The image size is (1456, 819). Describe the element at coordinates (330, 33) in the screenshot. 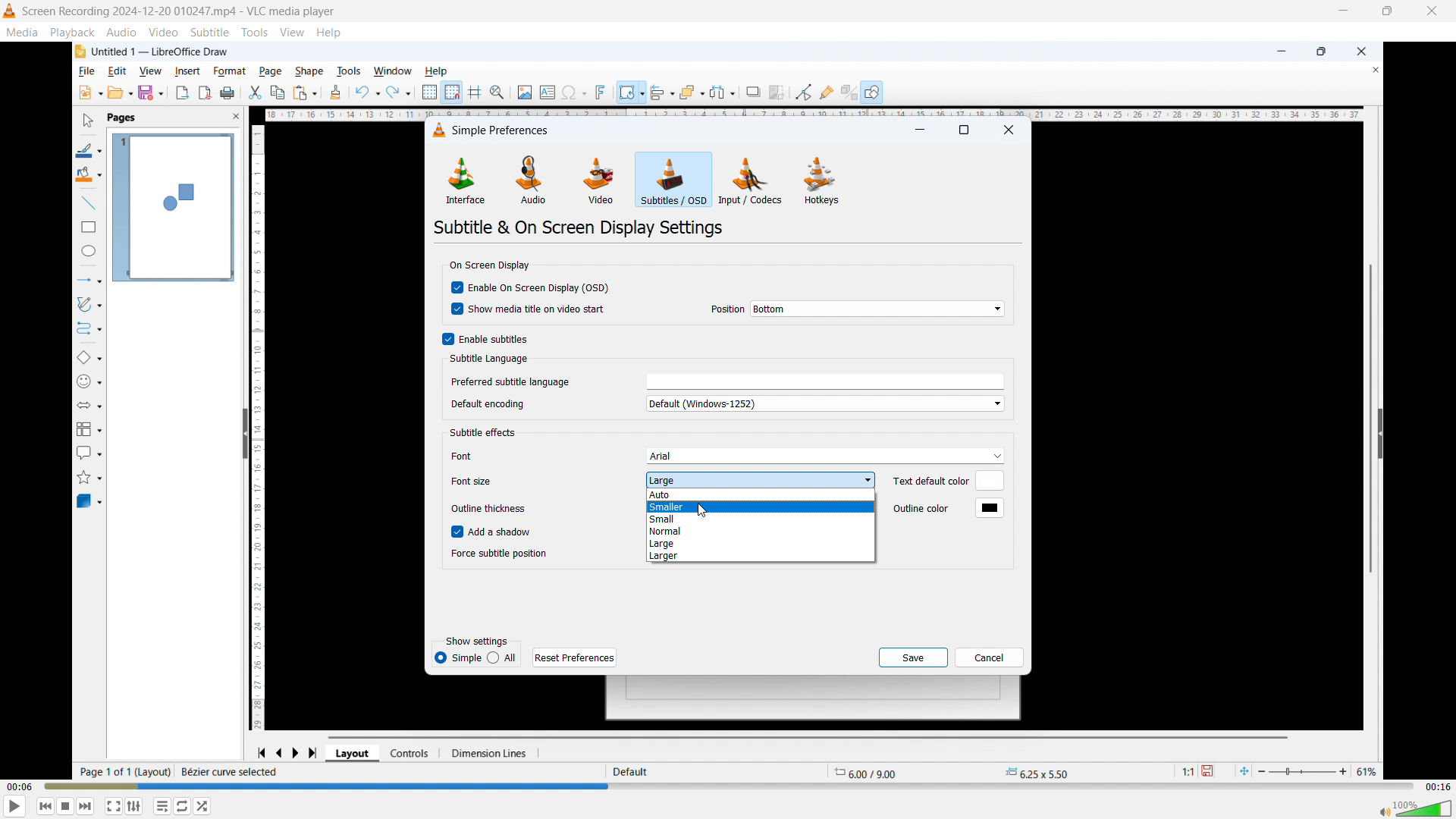

I see `help ` at that location.